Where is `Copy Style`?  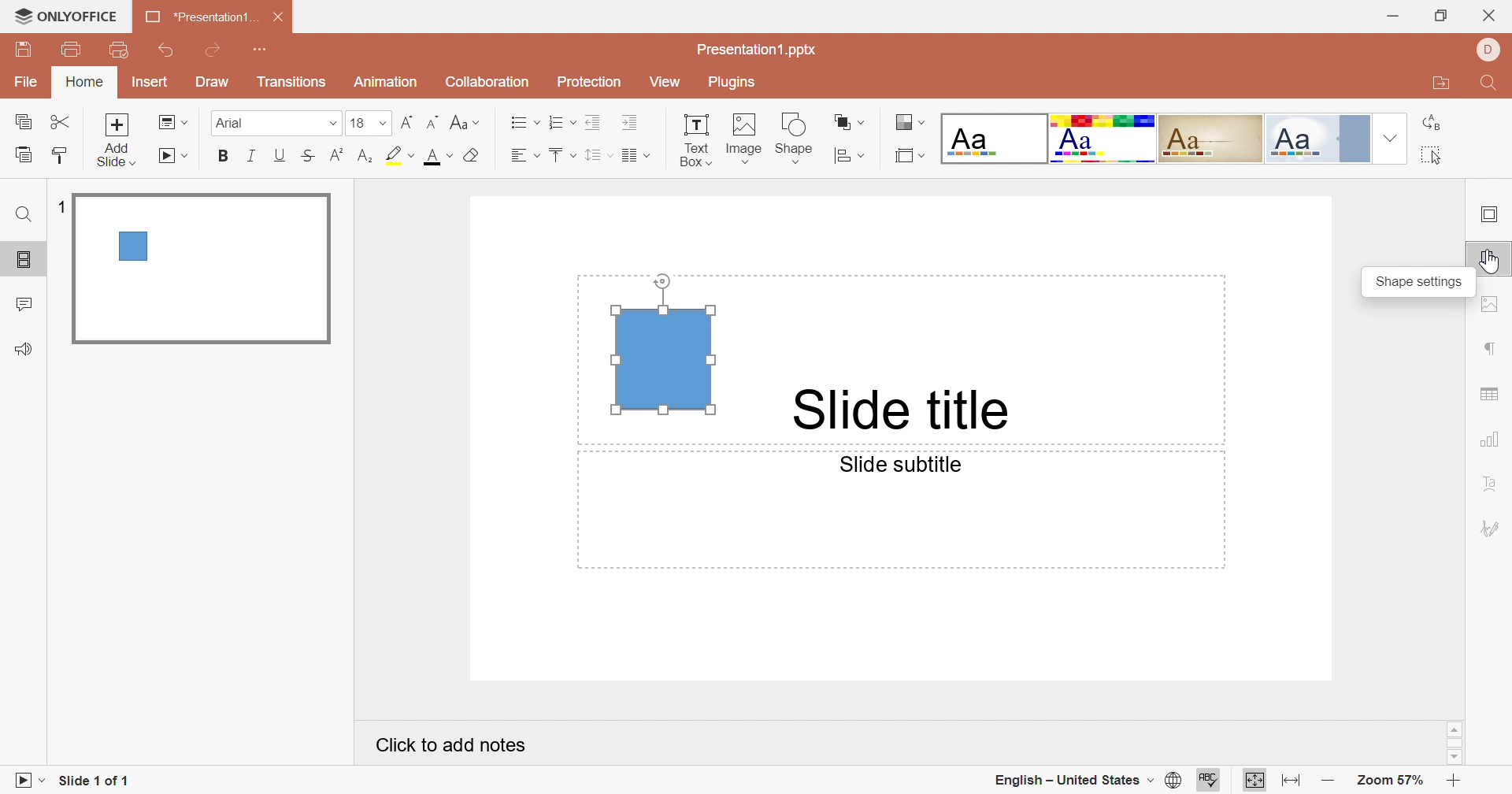
Copy Style is located at coordinates (56, 155).